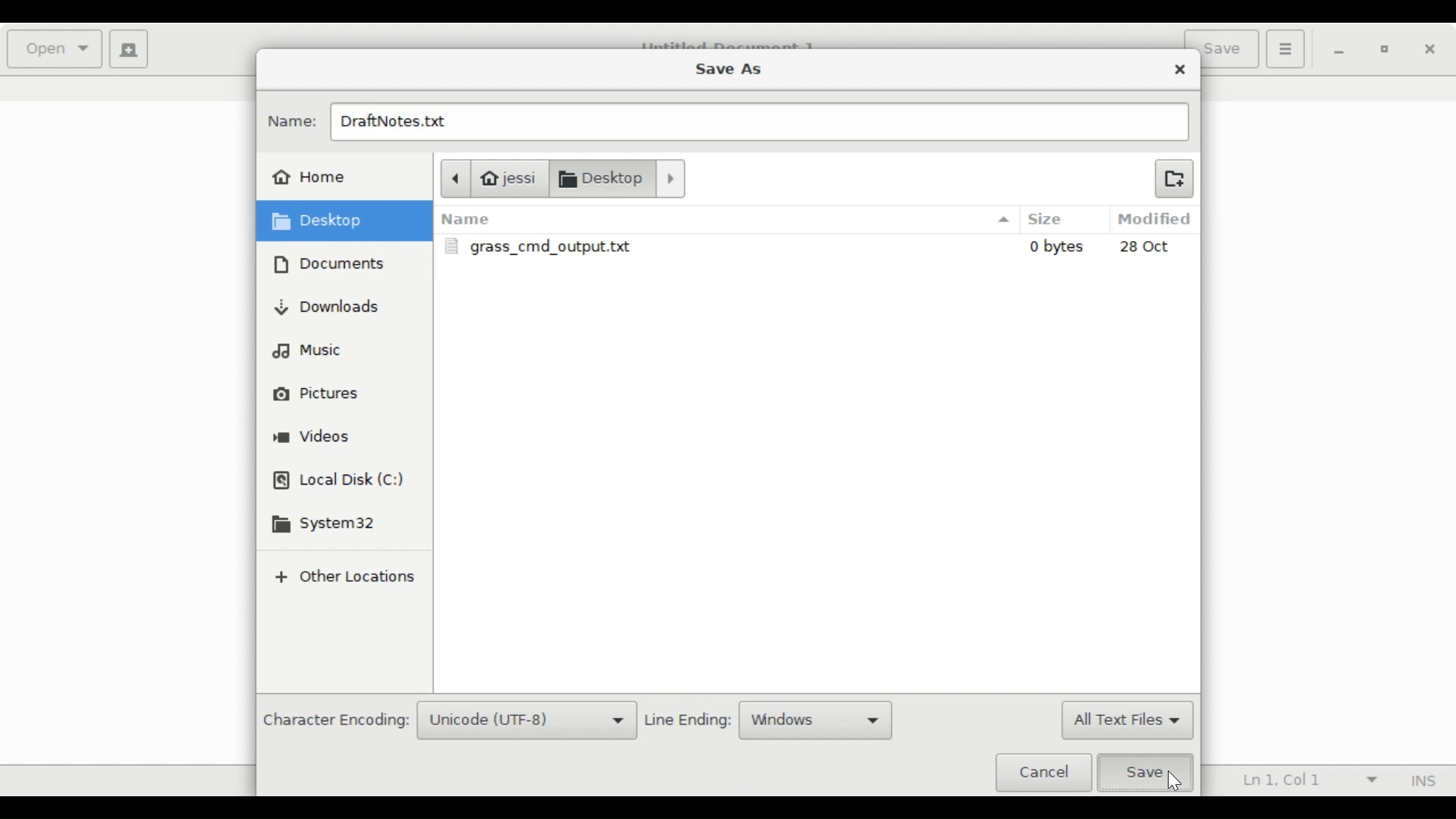  What do you see at coordinates (527, 721) in the screenshot?
I see `Unicode (UTF-8)` at bounding box center [527, 721].